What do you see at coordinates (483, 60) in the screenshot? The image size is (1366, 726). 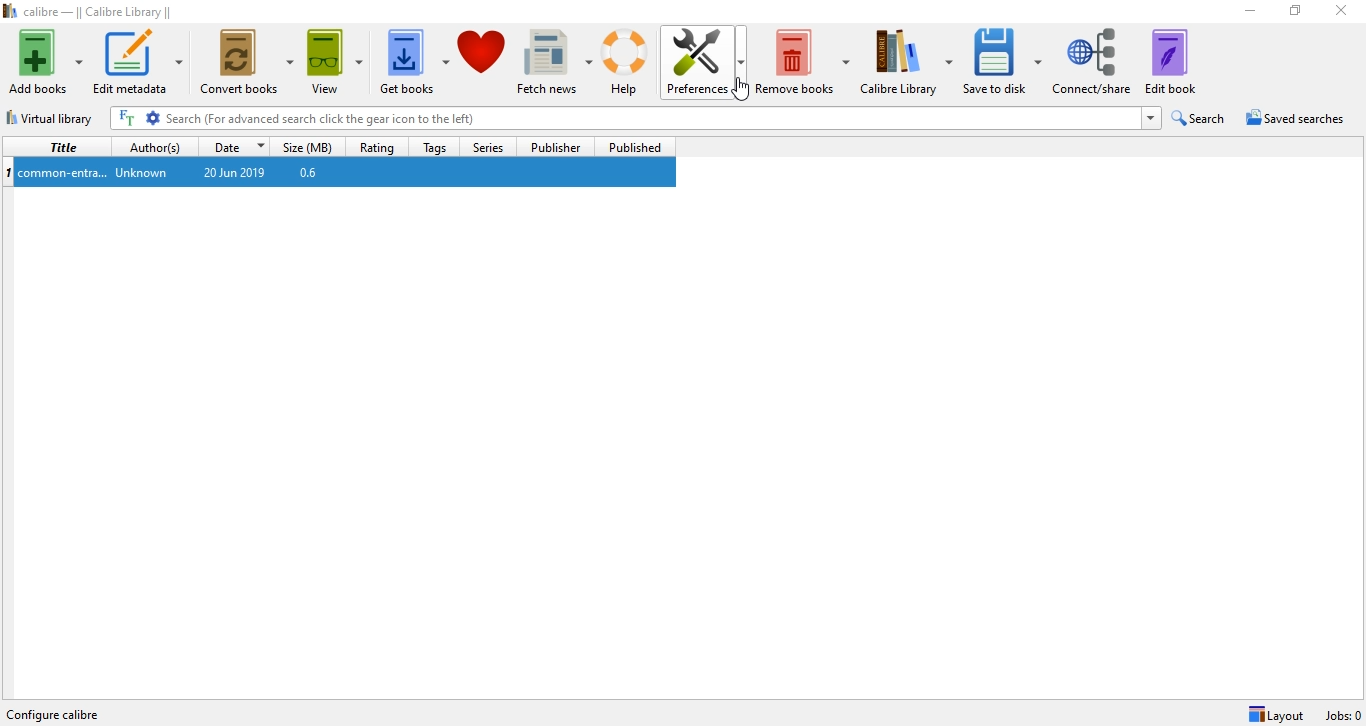 I see `Donate to calibre` at bounding box center [483, 60].